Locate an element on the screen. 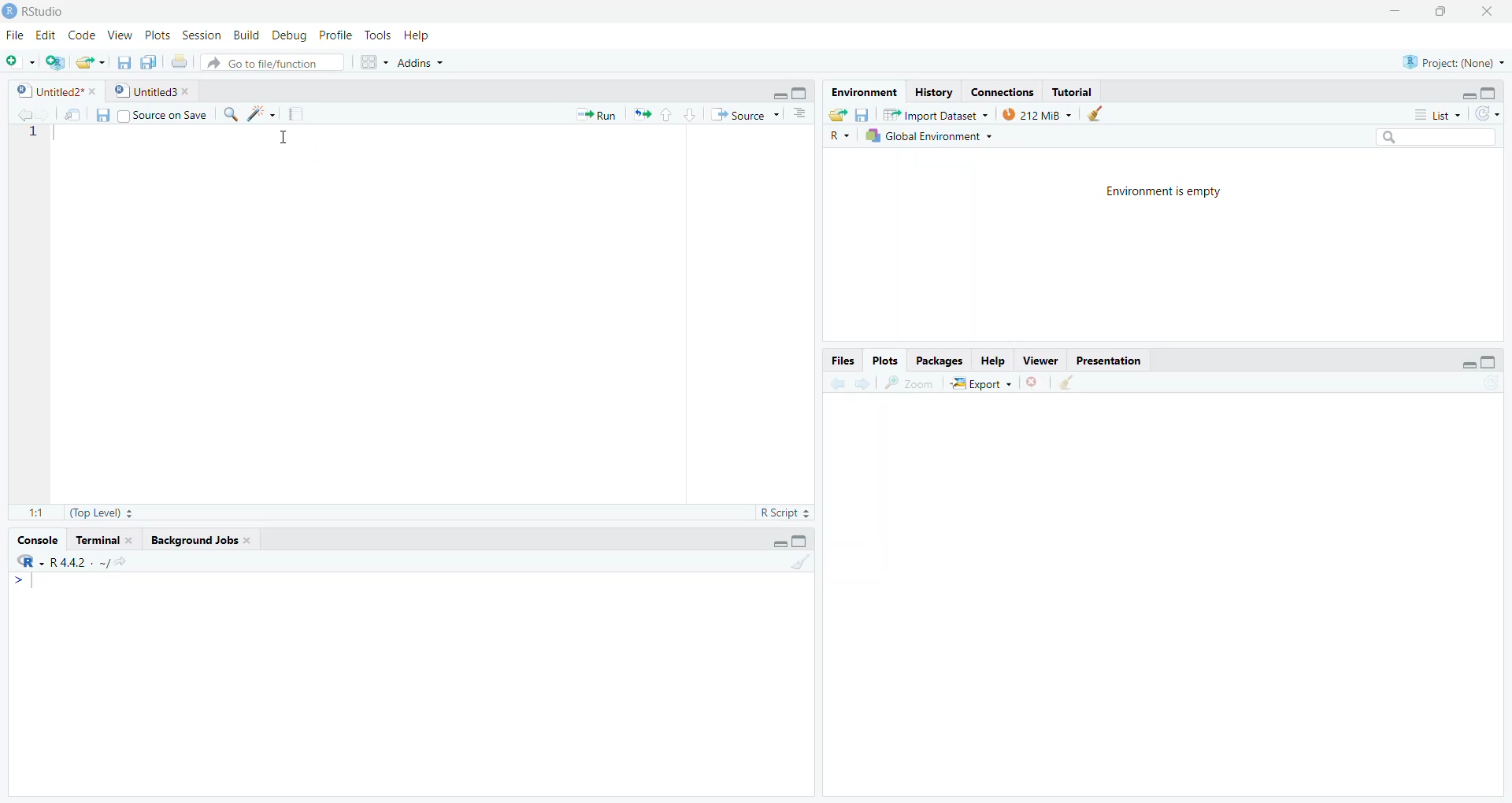 Image resolution: width=1512 pixels, height=803 pixels. save is located at coordinates (864, 114).